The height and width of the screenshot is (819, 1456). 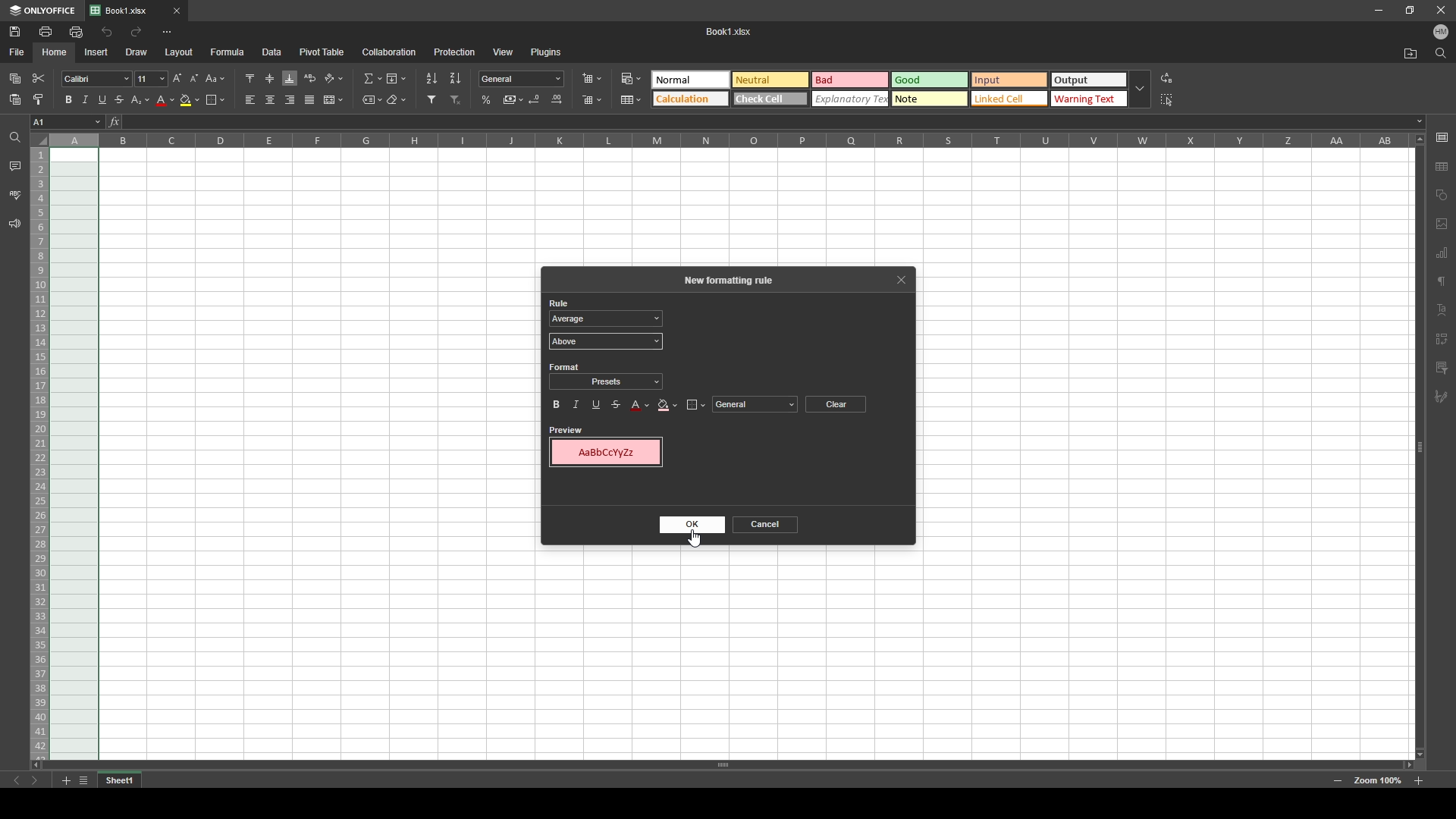 I want to click on resize, so click(x=1410, y=9).